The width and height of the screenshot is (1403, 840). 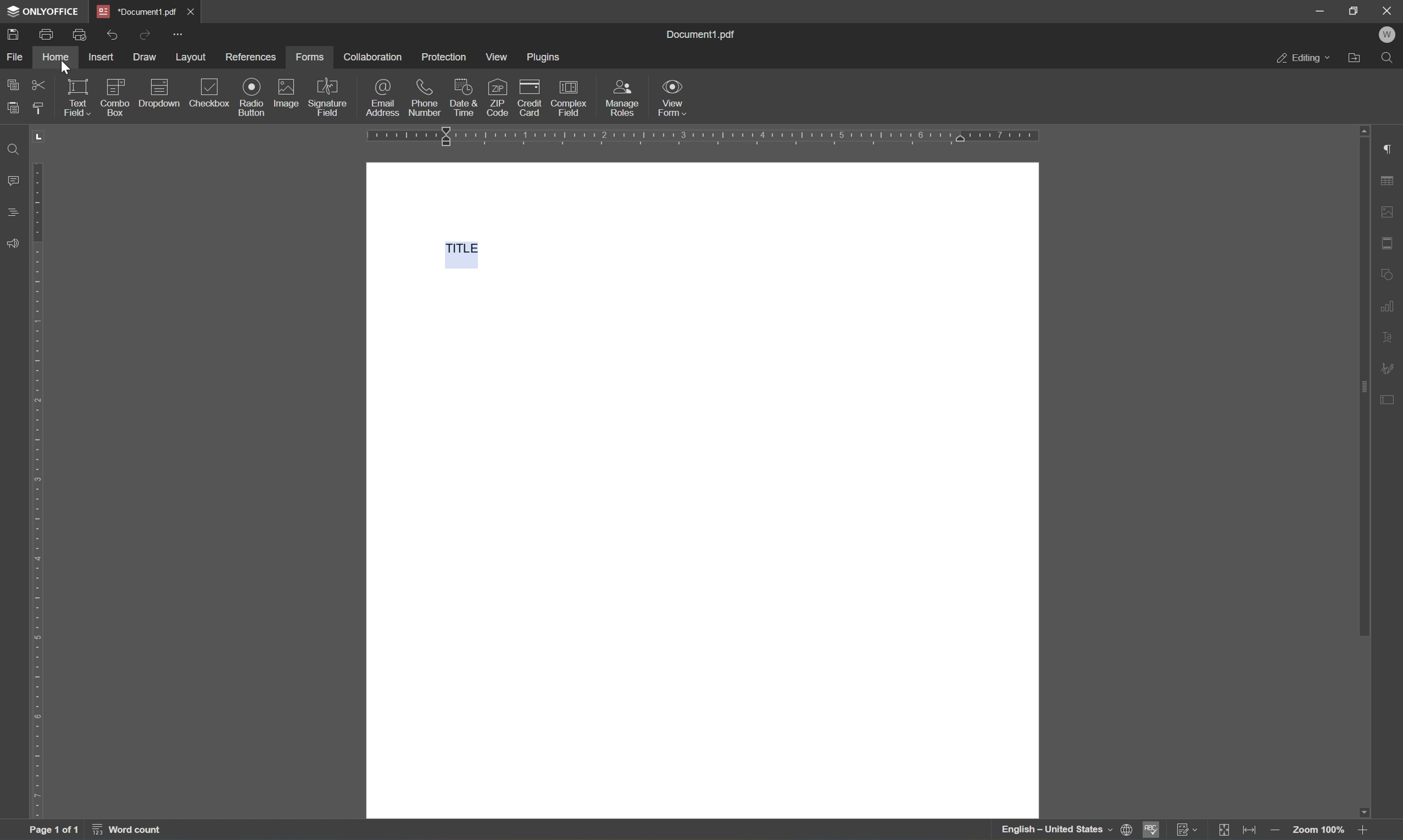 I want to click on redo, so click(x=147, y=35).